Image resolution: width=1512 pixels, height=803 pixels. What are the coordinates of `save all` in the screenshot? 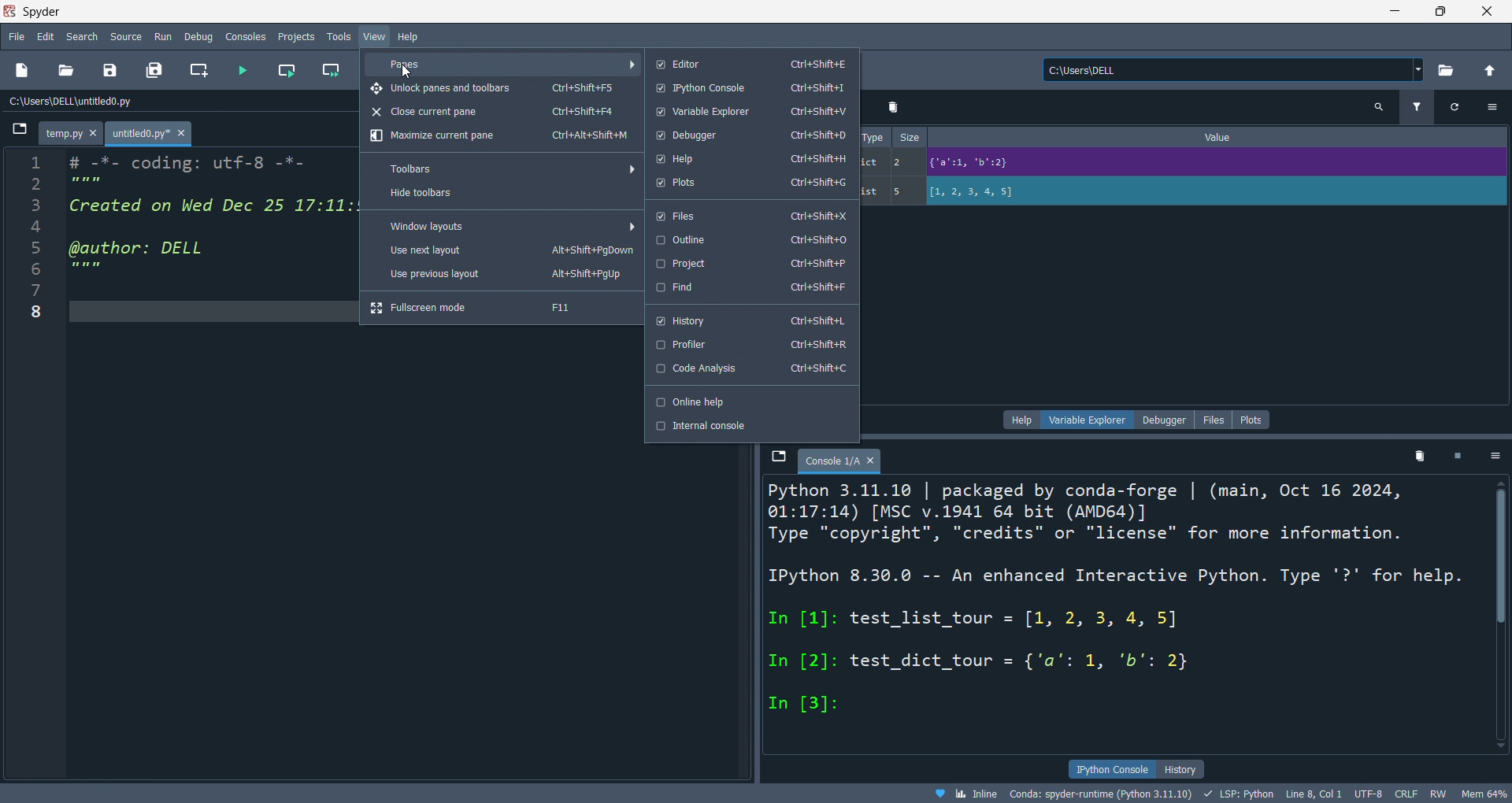 It's located at (154, 71).